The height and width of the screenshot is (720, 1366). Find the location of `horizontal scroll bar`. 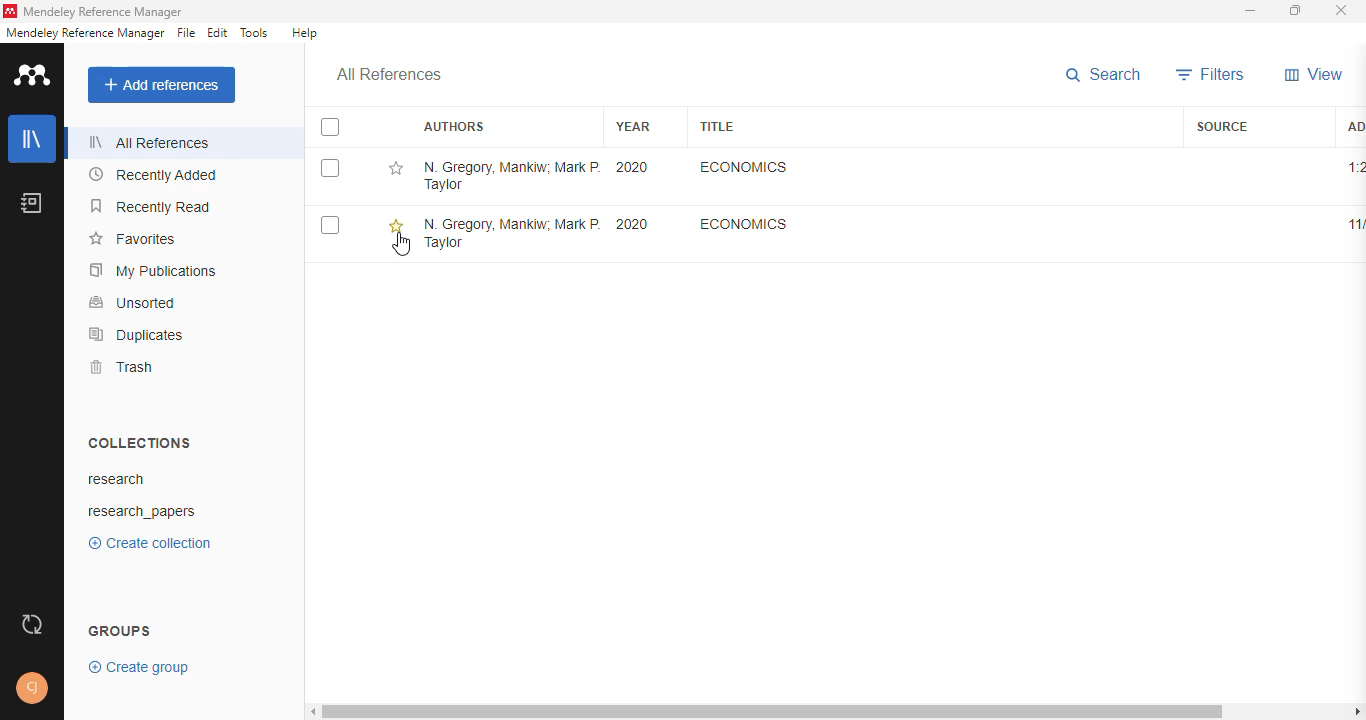

horizontal scroll bar is located at coordinates (773, 711).